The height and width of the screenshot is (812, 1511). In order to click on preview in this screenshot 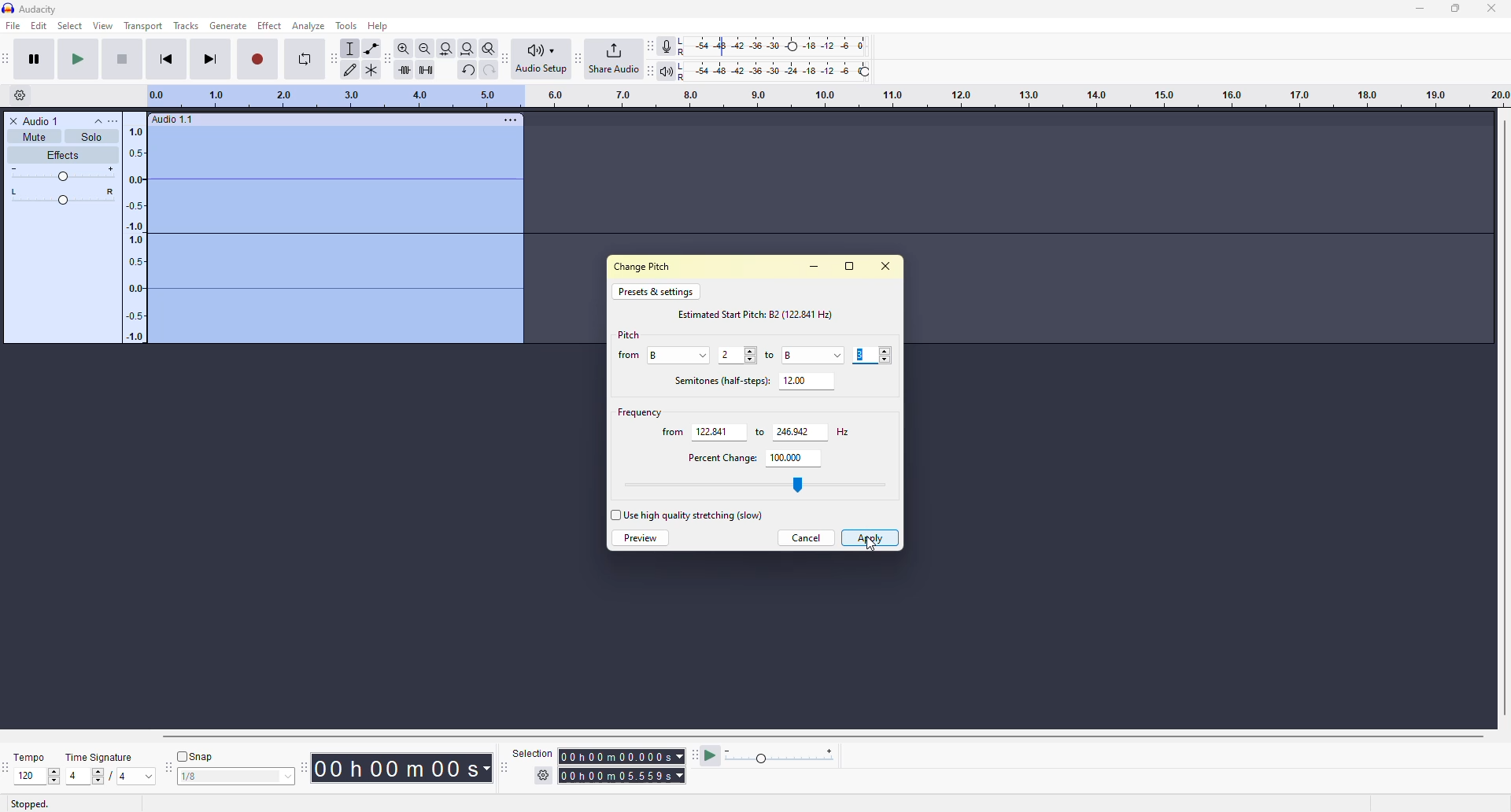, I will do `click(640, 538)`.